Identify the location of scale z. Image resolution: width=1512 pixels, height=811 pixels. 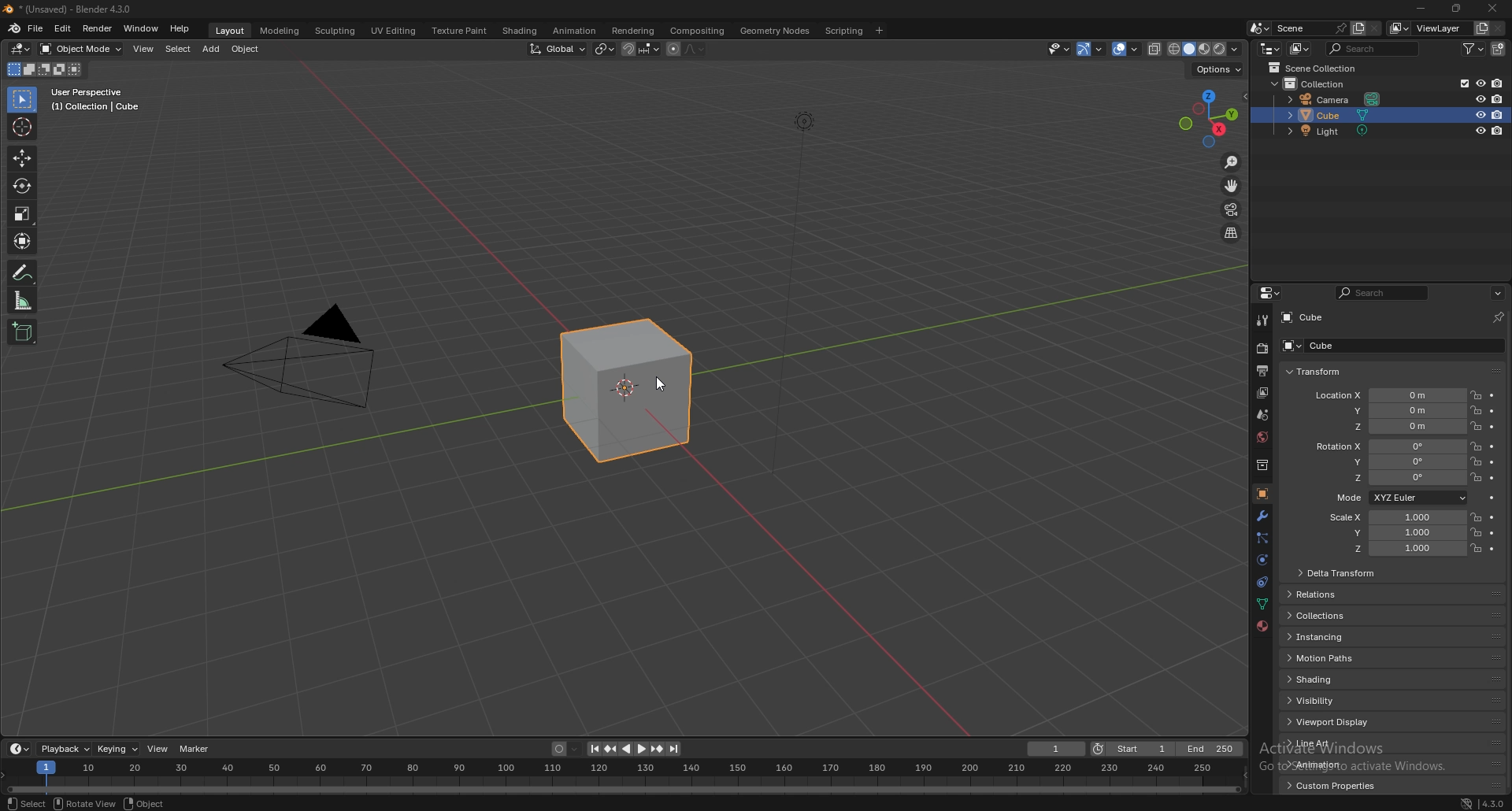
(1395, 548).